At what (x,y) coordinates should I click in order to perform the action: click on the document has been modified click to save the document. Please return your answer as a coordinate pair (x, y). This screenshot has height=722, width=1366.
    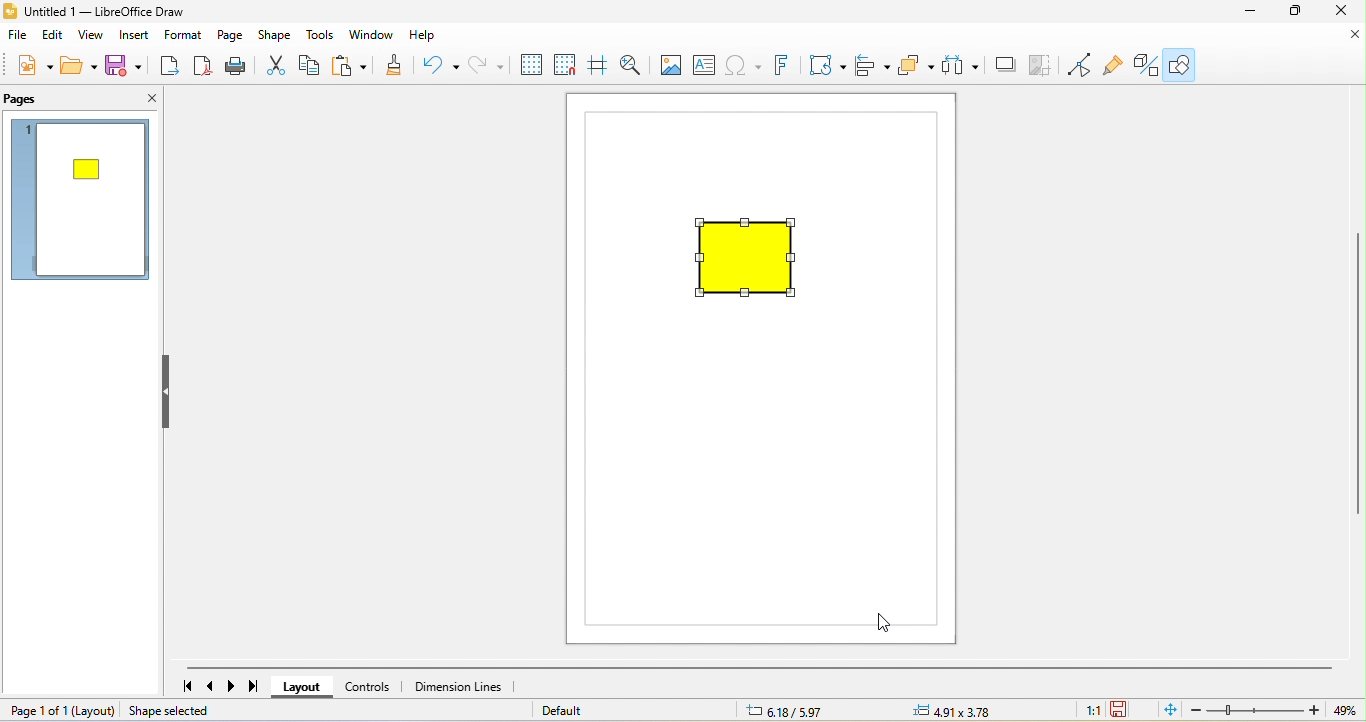
    Looking at the image, I should click on (1123, 710).